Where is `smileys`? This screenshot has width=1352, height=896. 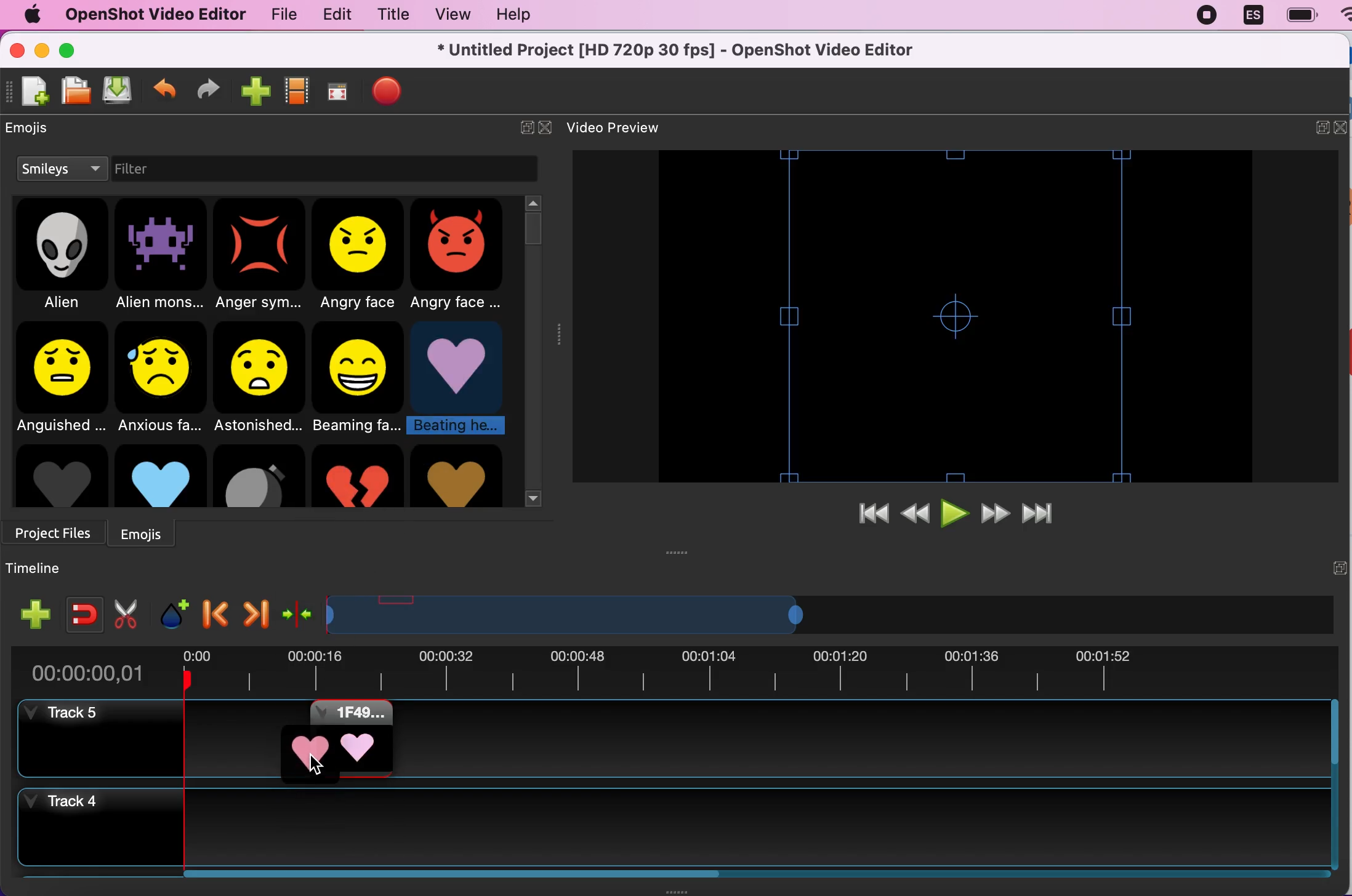
smileys is located at coordinates (61, 170).